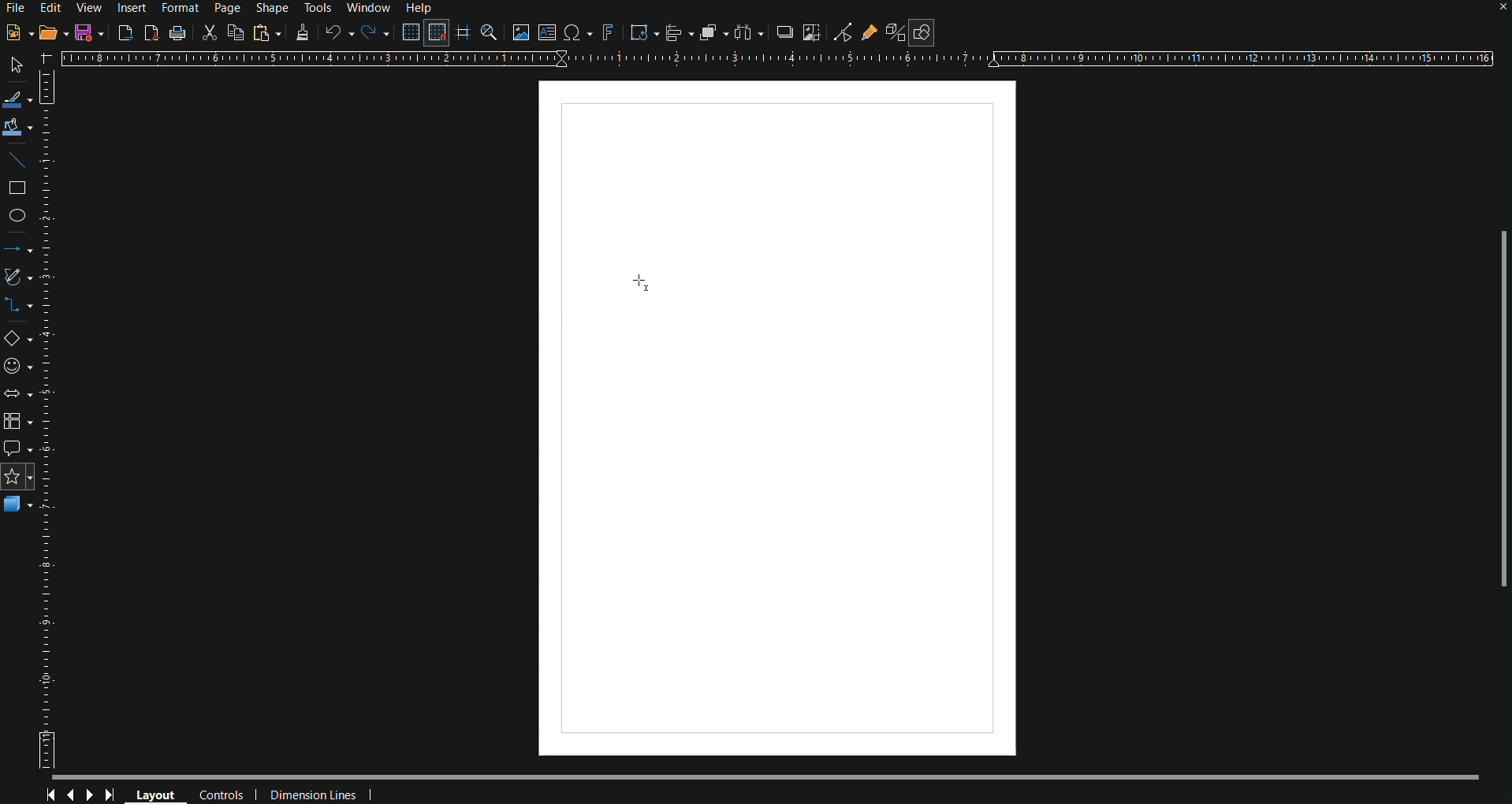 The image size is (1512, 804). Describe the element at coordinates (1488, 12) in the screenshot. I see `close` at that location.